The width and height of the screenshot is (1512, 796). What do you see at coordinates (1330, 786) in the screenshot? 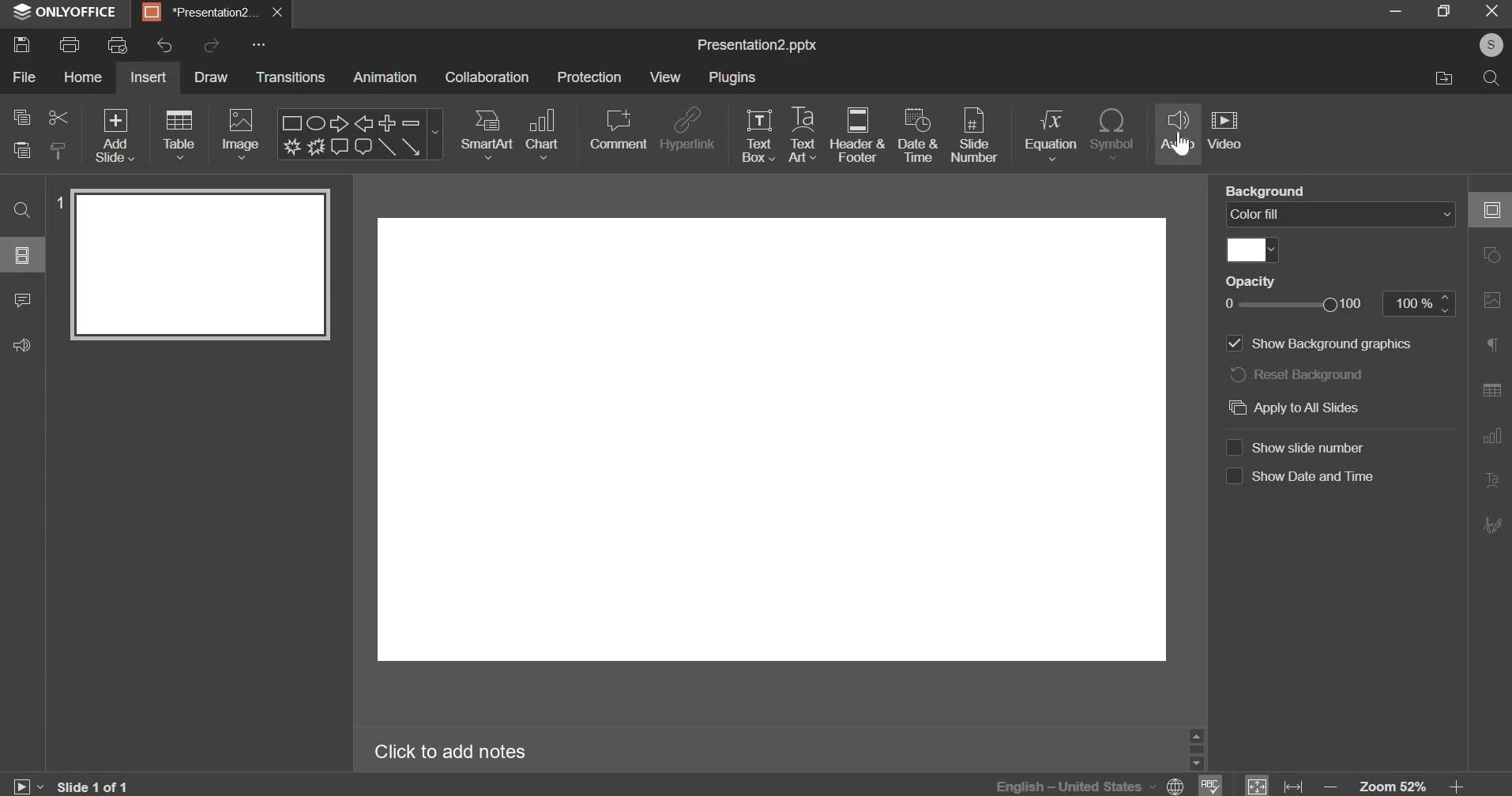
I see `decrease zoom` at bounding box center [1330, 786].